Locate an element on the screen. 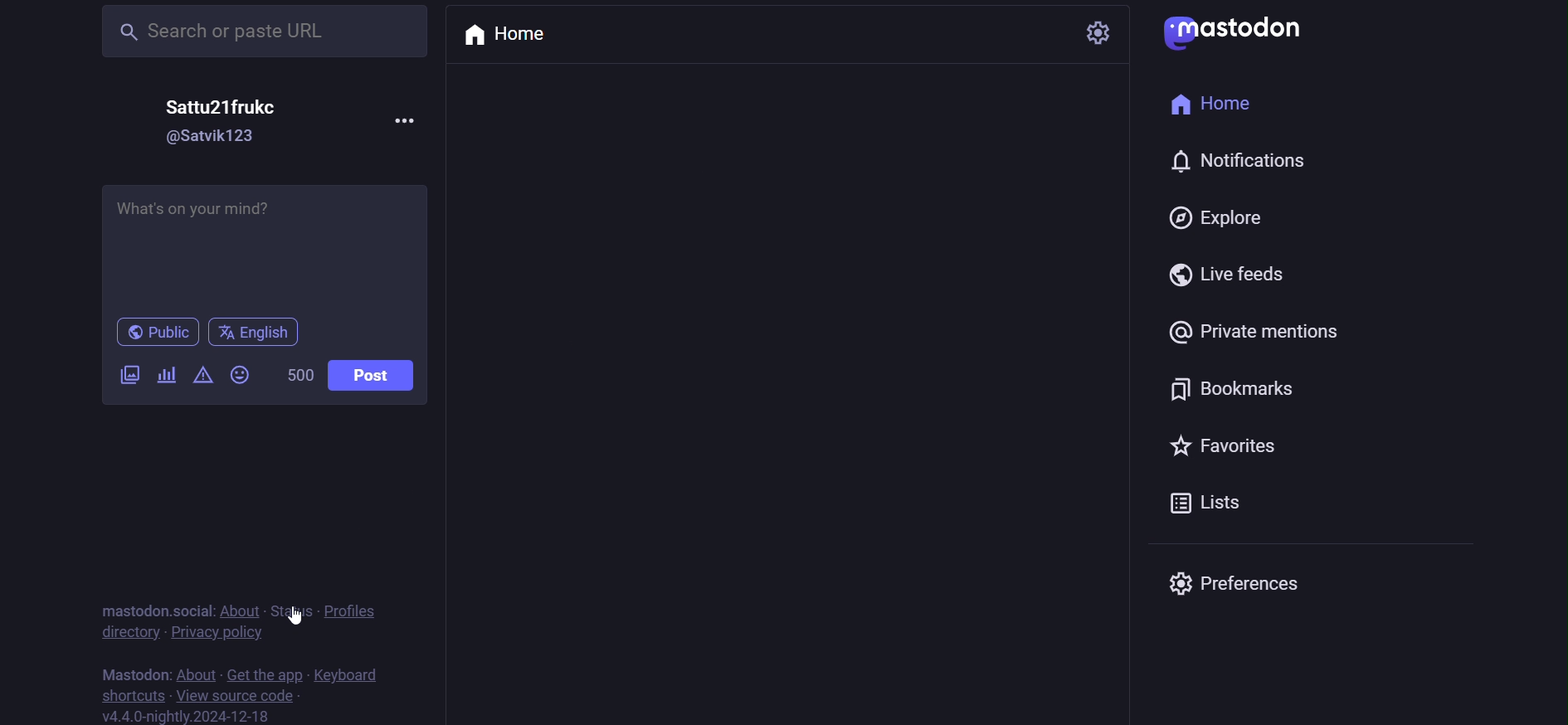  image/video is located at coordinates (127, 374).